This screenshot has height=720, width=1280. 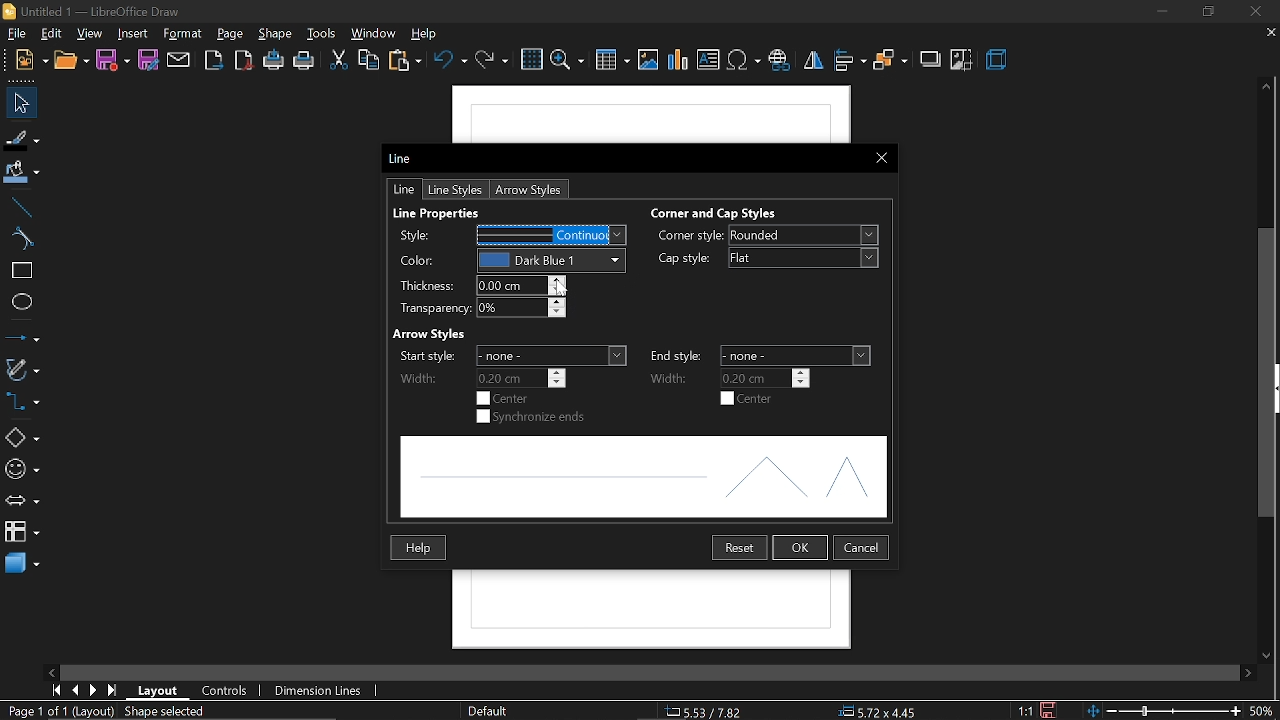 What do you see at coordinates (555, 235) in the screenshot?
I see `style` at bounding box center [555, 235].